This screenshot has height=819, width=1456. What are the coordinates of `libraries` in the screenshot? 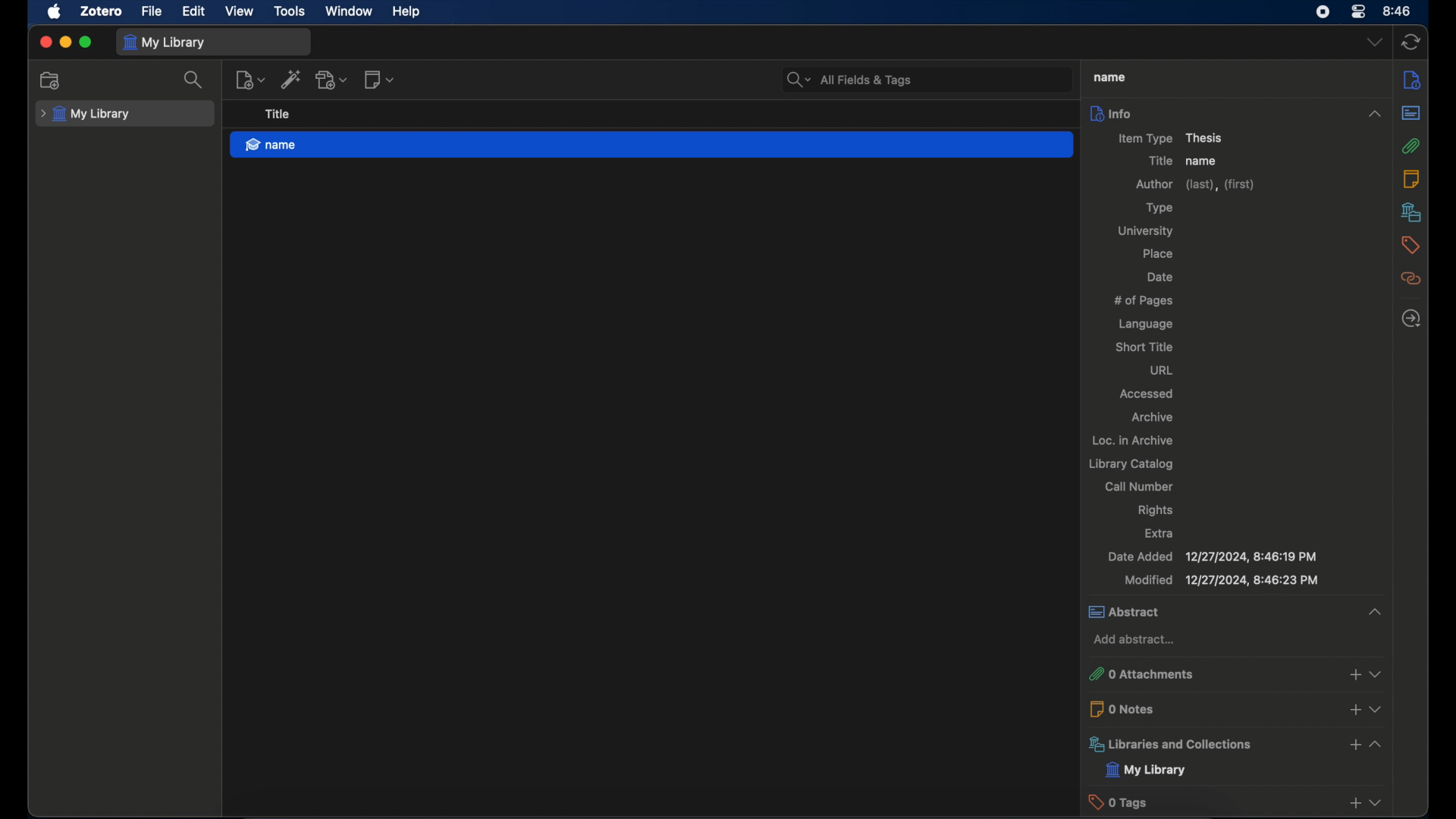 It's located at (1209, 744).